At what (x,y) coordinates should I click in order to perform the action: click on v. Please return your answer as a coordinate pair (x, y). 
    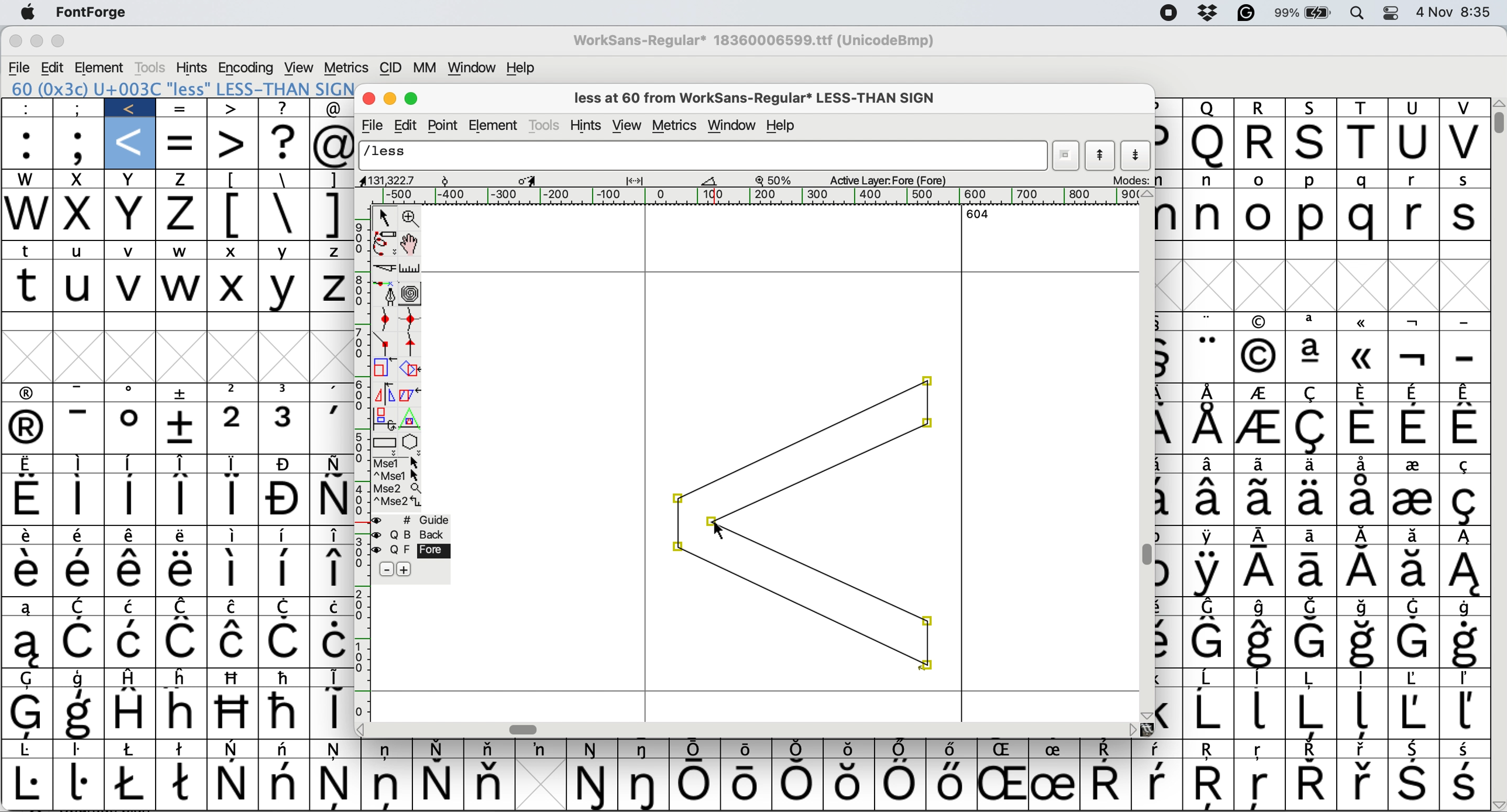
    Looking at the image, I should click on (135, 250).